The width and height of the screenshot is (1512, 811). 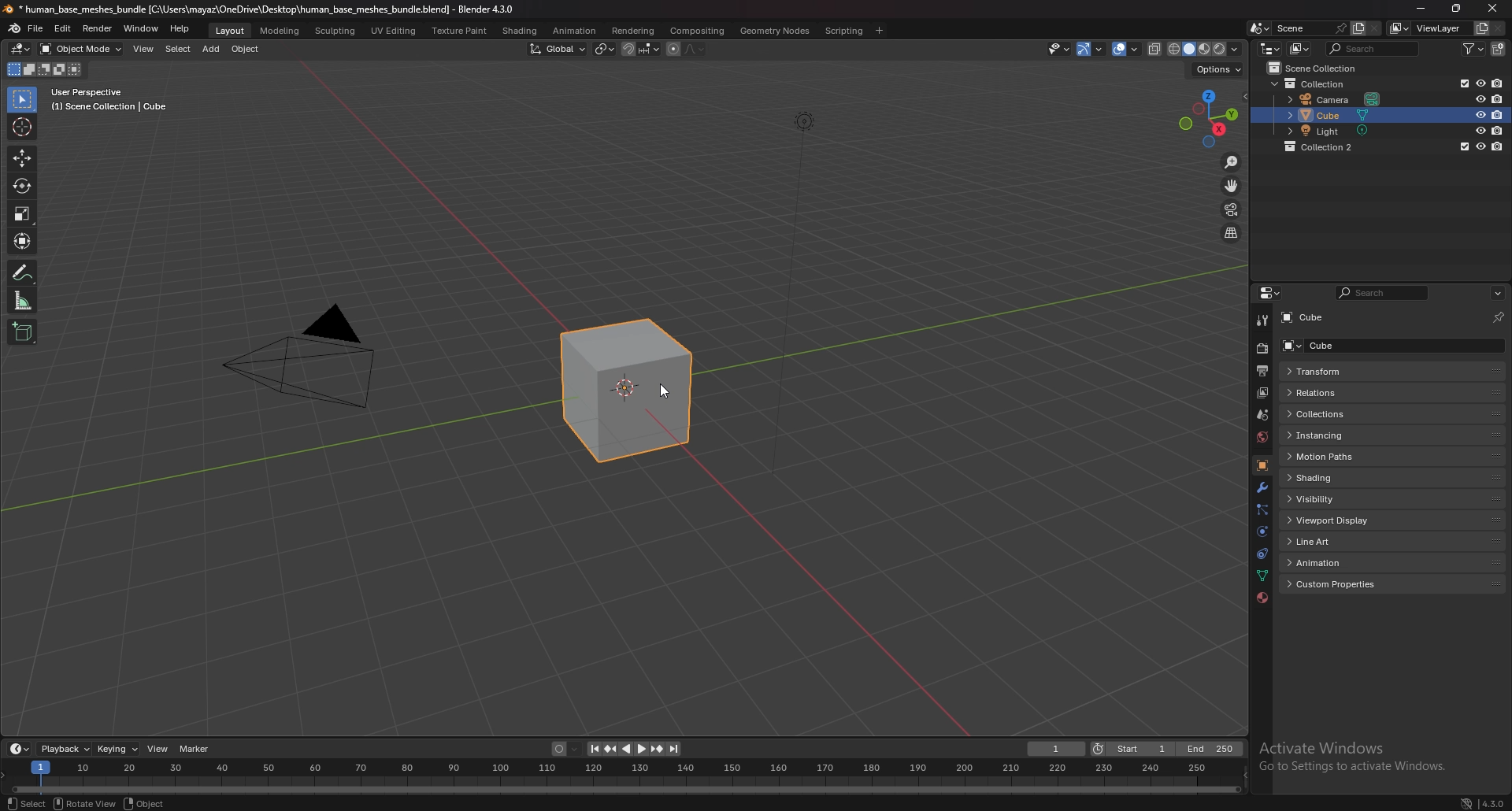 What do you see at coordinates (804, 121) in the screenshot?
I see `lighting` at bounding box center [804, 121].